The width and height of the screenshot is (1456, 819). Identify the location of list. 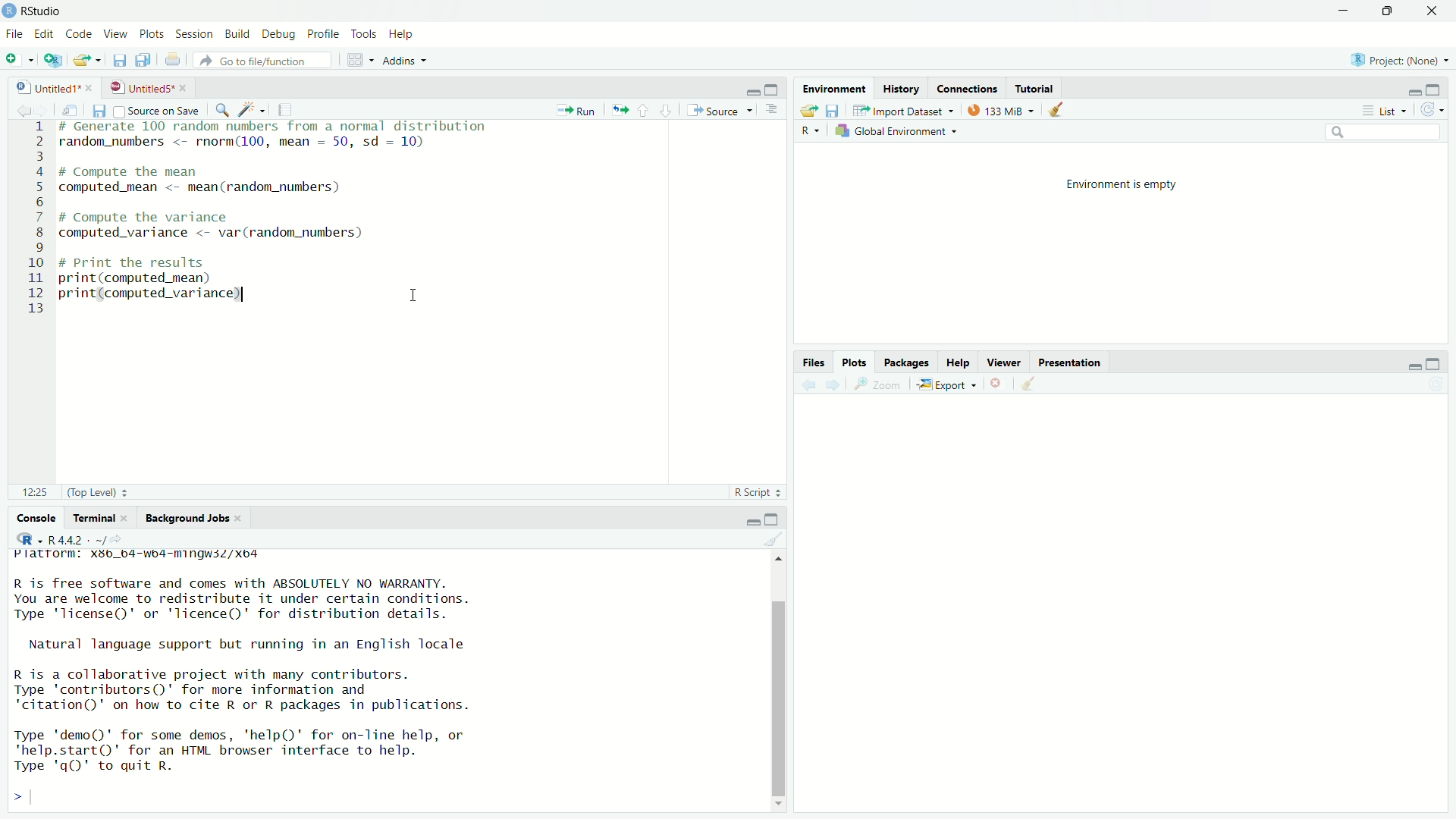
(1385, 111).